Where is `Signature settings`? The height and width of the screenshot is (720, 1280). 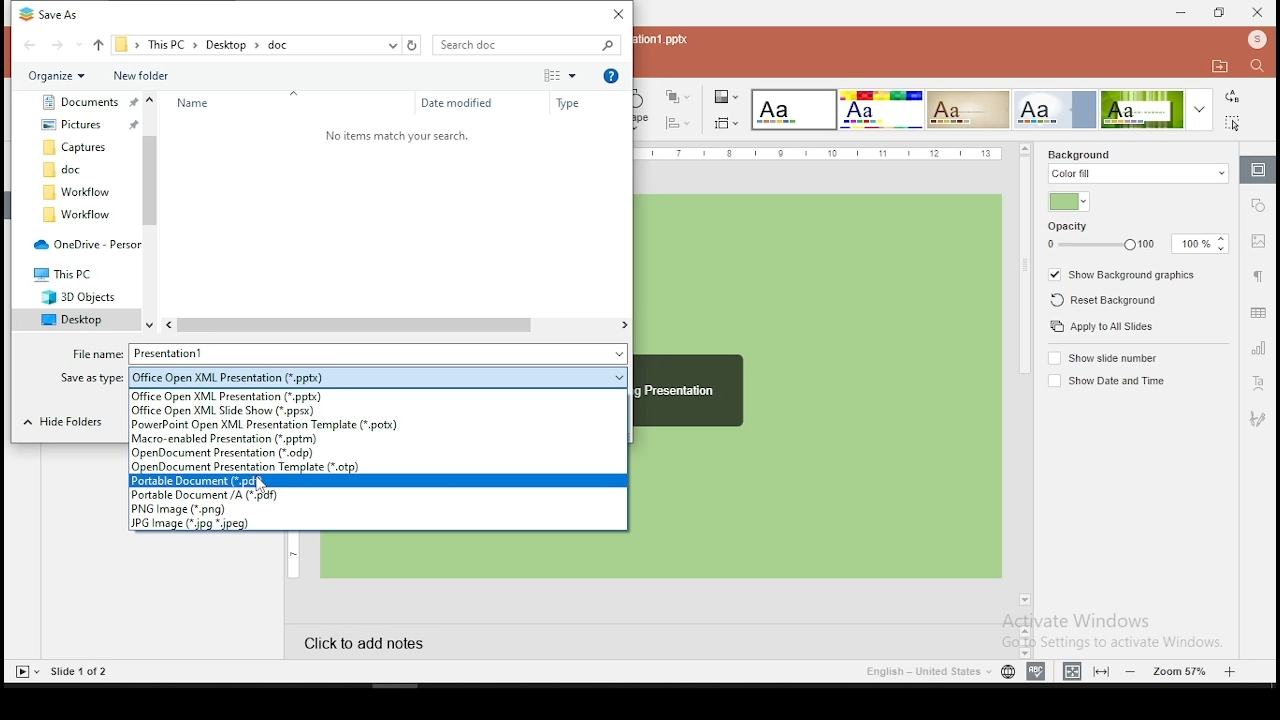 Signature settings is located at coordinates (1258, 420).